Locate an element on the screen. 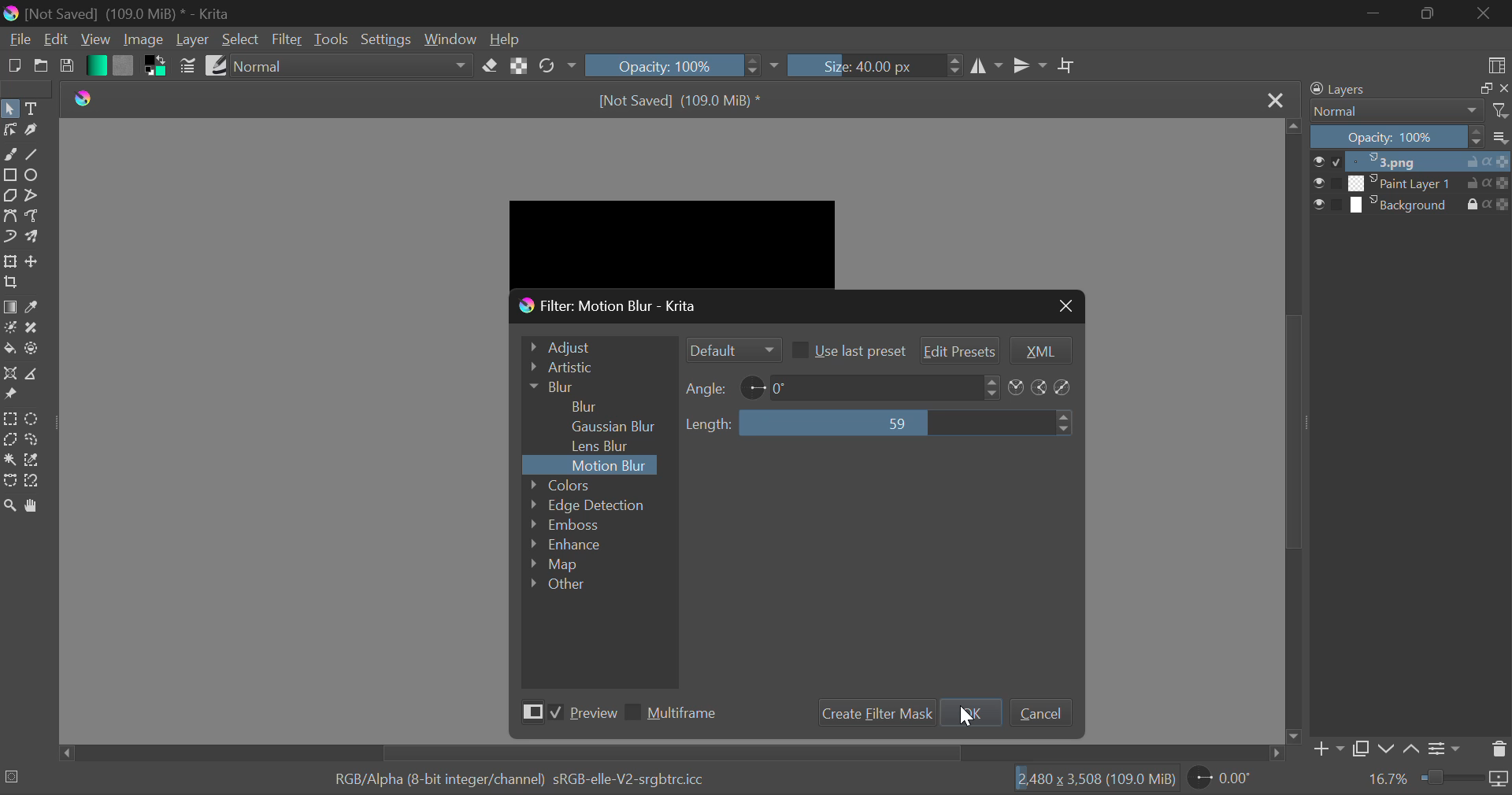 Image resolution: width=1512 pixels, height=795 pixels. angle indicator is located at coordinates (753, 386).